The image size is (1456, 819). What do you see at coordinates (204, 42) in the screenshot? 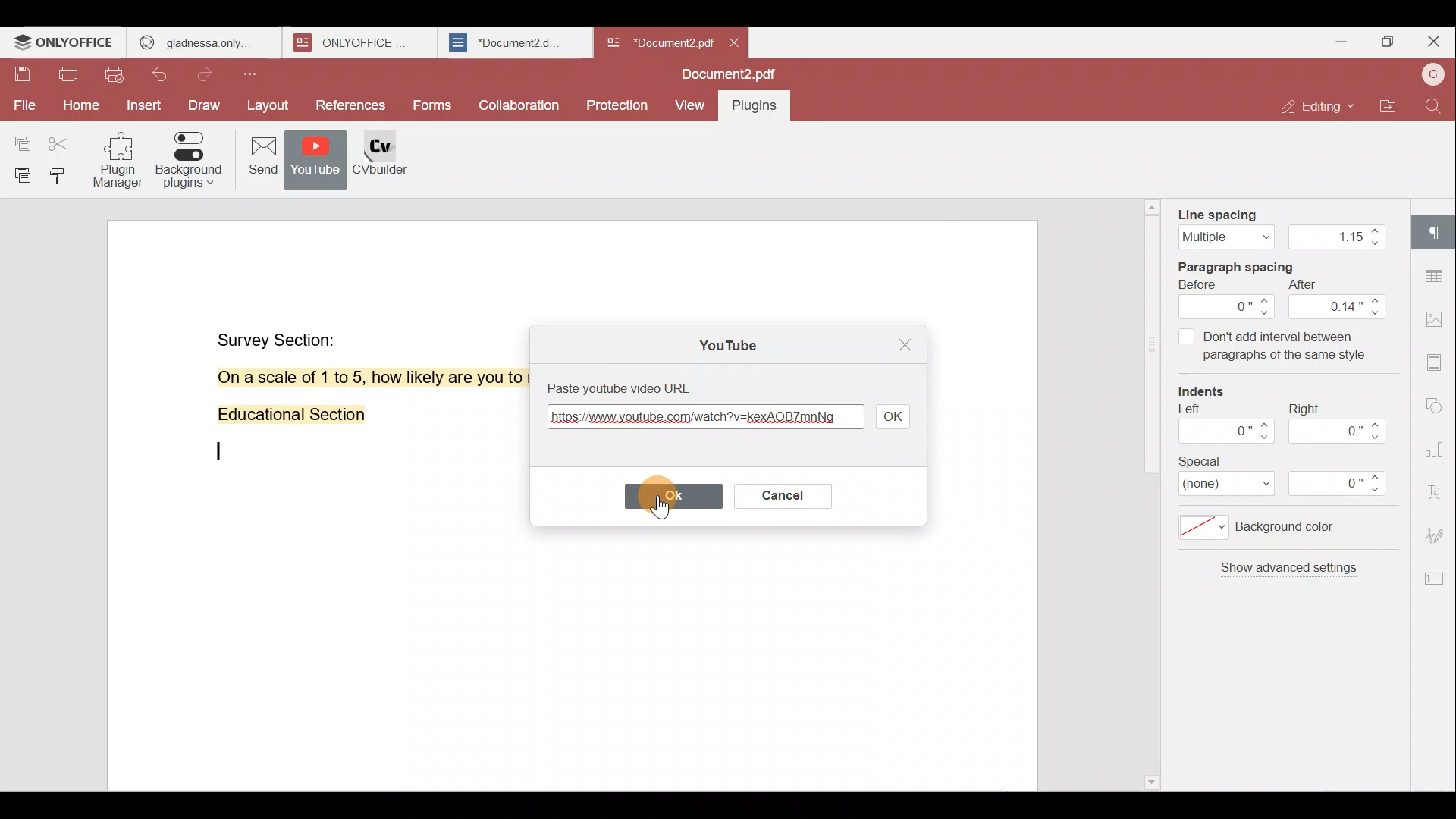
I see `gladness only` at bounding box center [204, 42].